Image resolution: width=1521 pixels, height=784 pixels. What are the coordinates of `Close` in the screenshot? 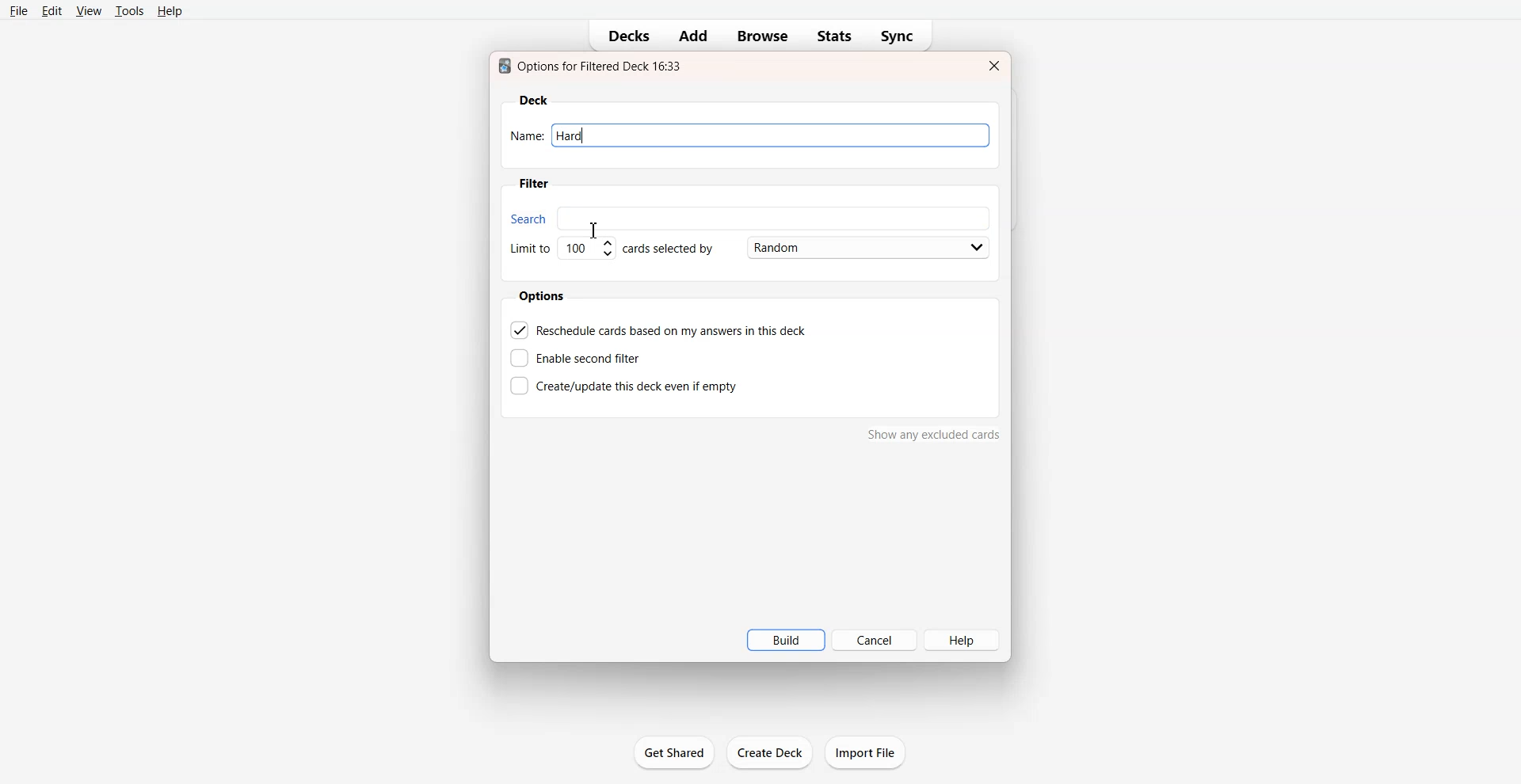 It's located at (993, 66).